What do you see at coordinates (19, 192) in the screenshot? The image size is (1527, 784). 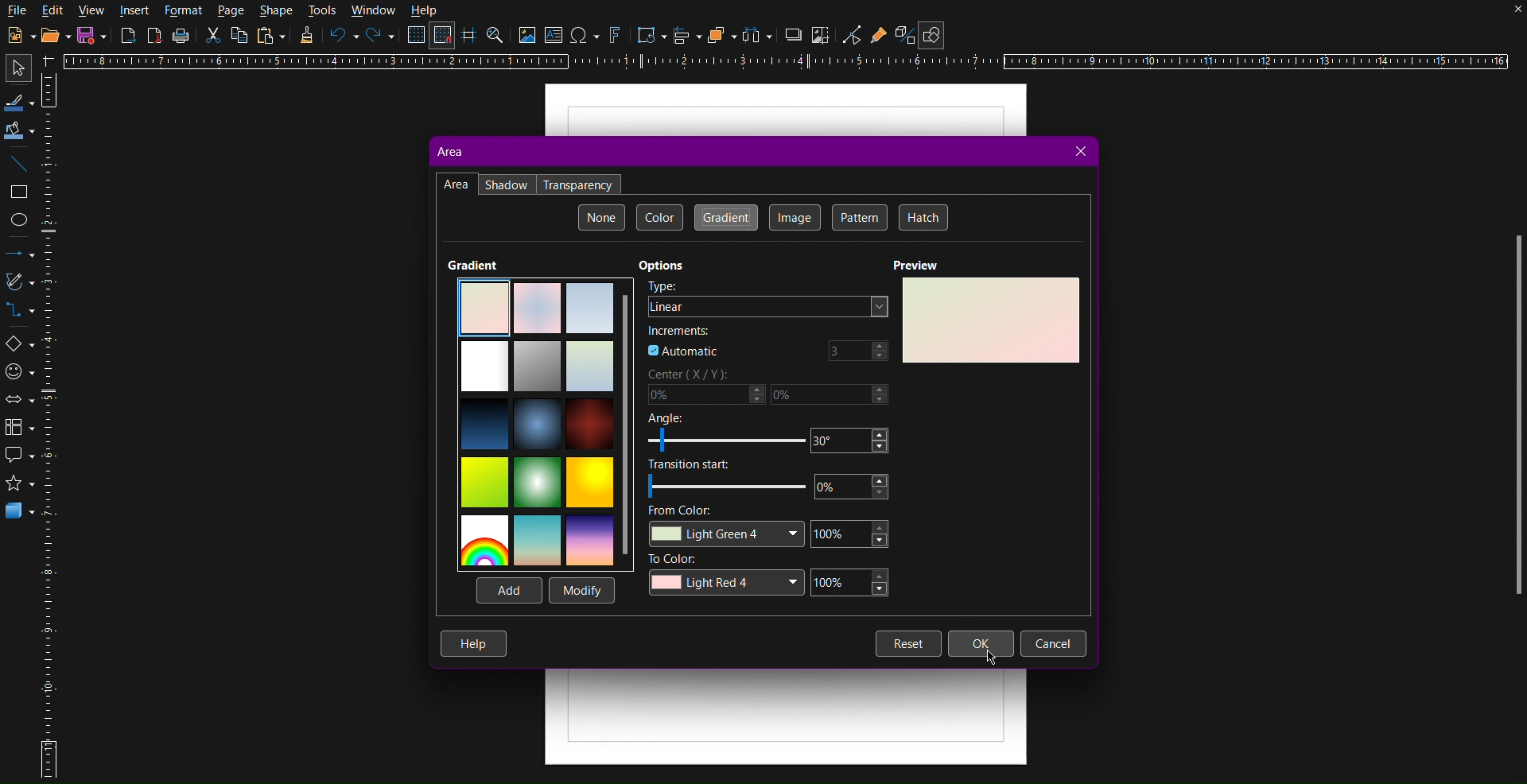 I see `Square` at bounding box center [19, 192].